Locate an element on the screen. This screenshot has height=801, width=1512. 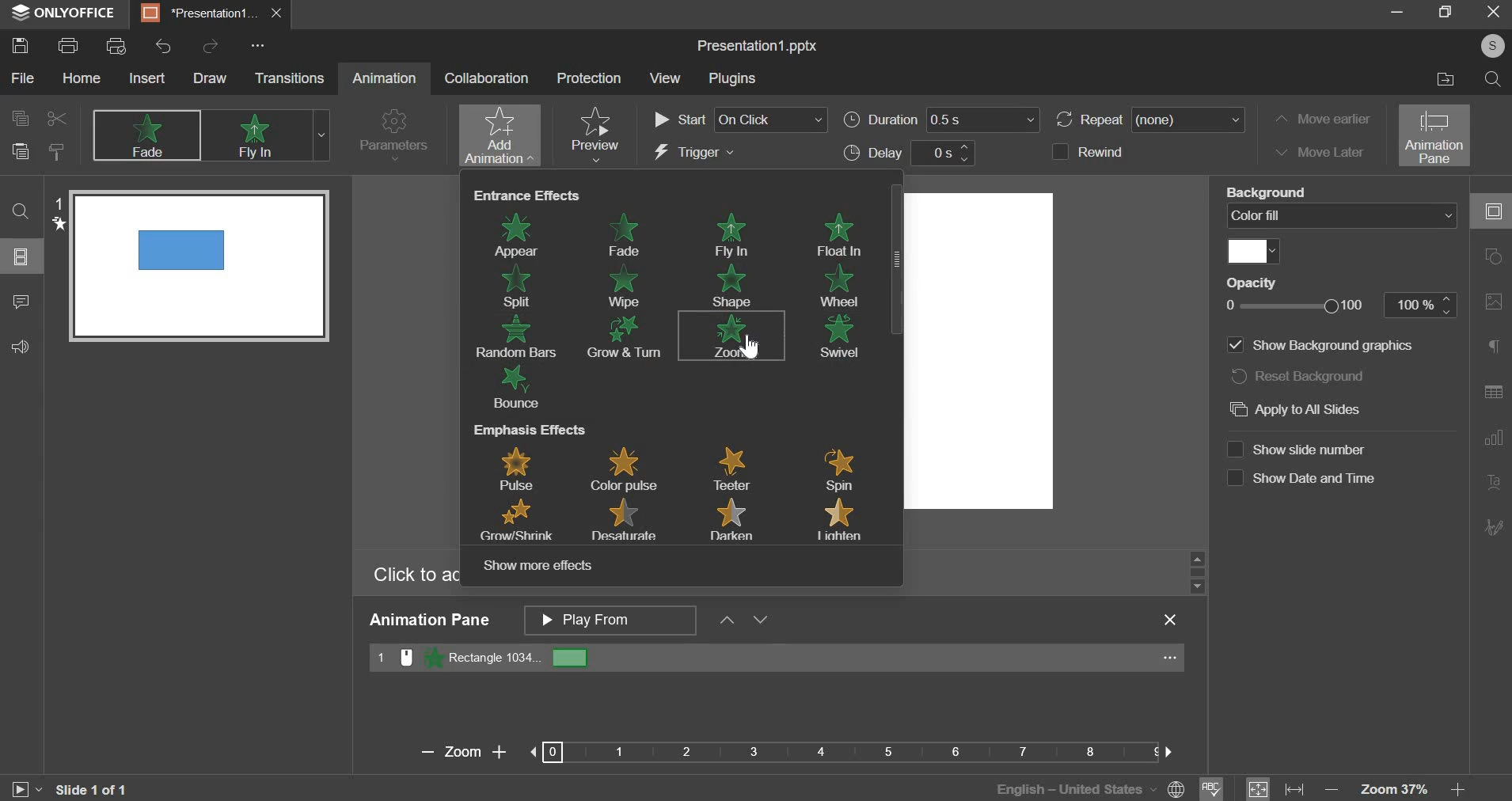
Close is located at coordinates (1173, 622).